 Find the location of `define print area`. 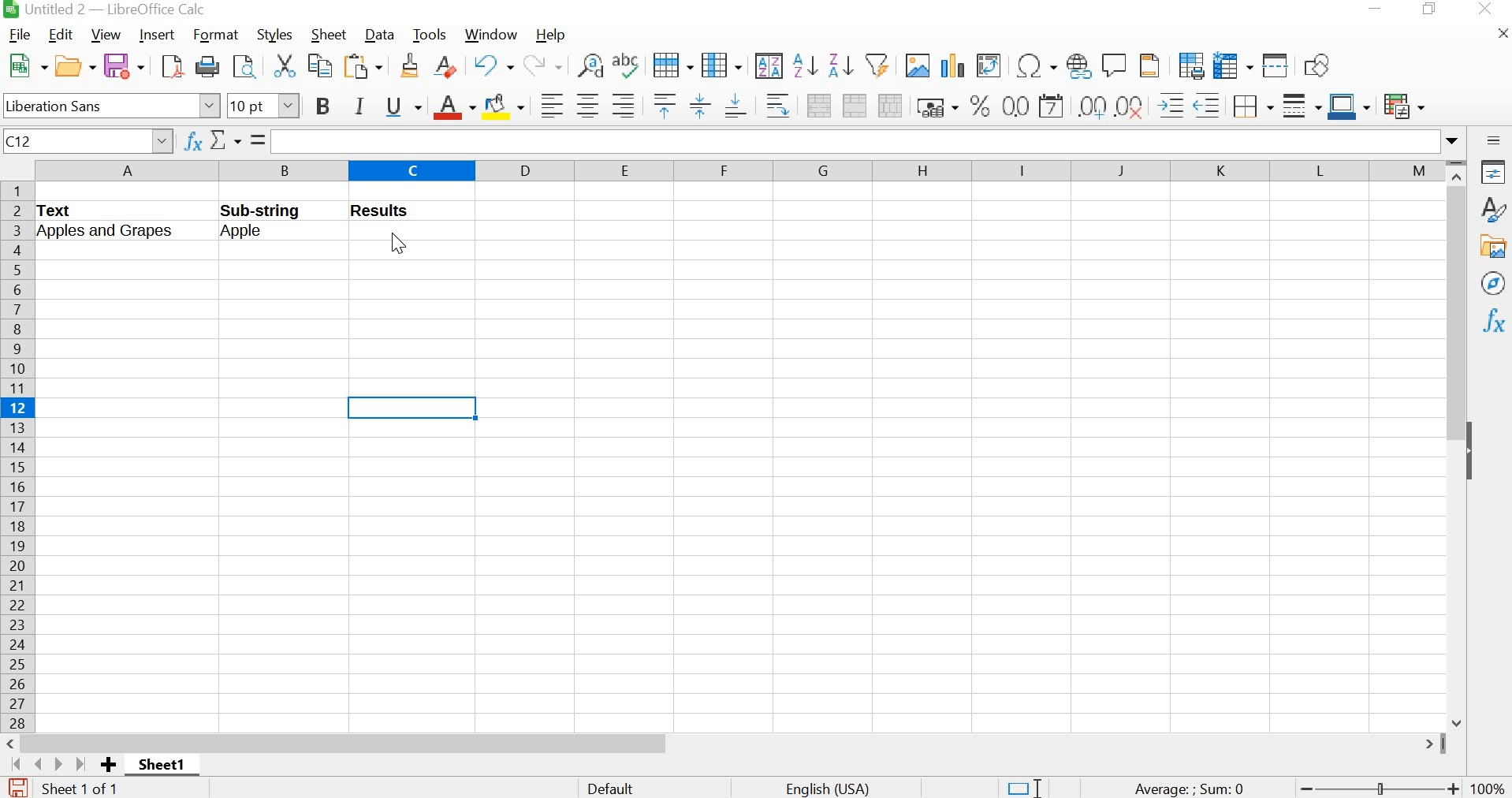

define print area is located at coordinates (1190, 64).